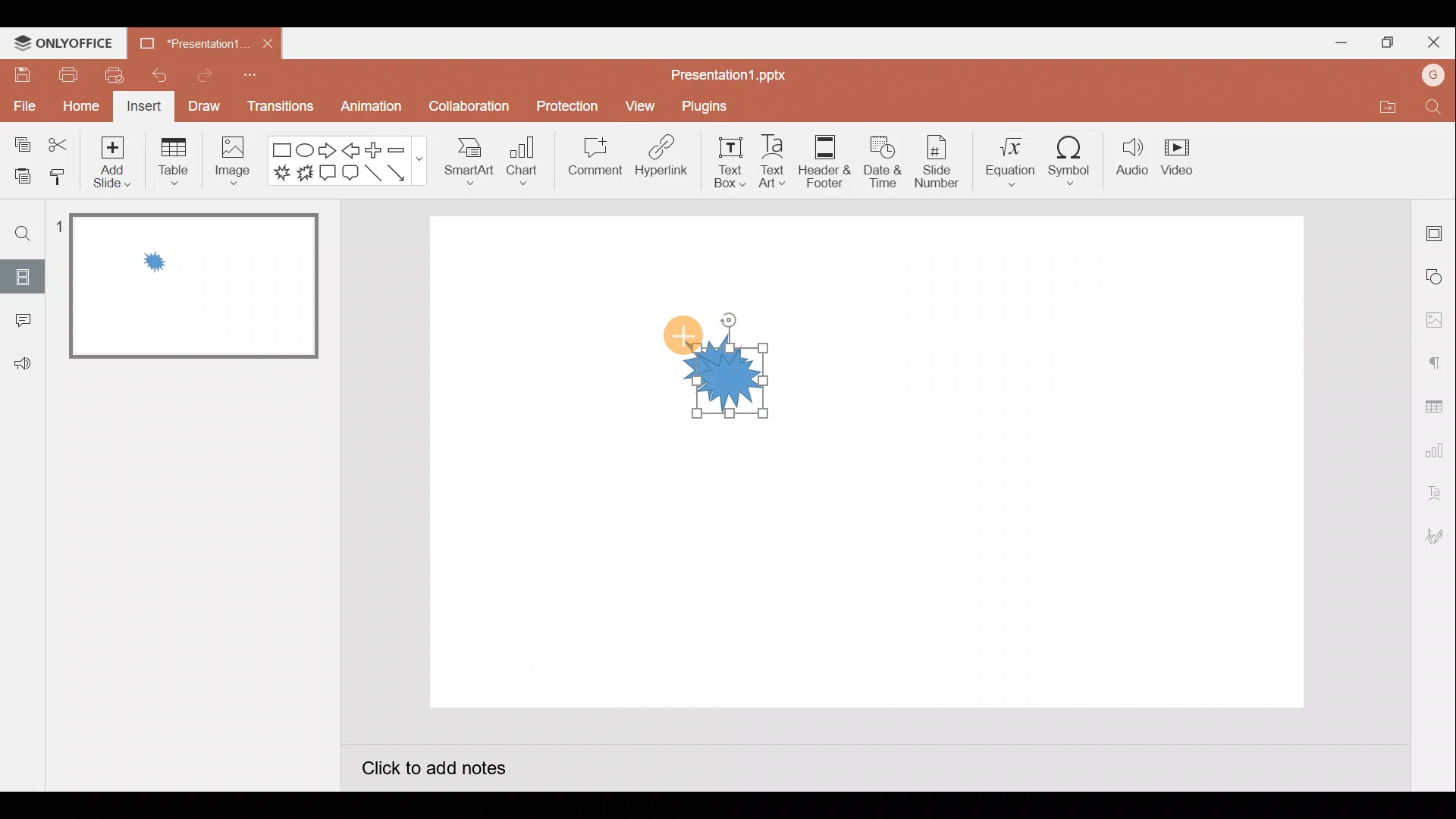  Describe the element at coordinates (725, 74) in the screenshot. I see `Presentation1.pptx` at that location.